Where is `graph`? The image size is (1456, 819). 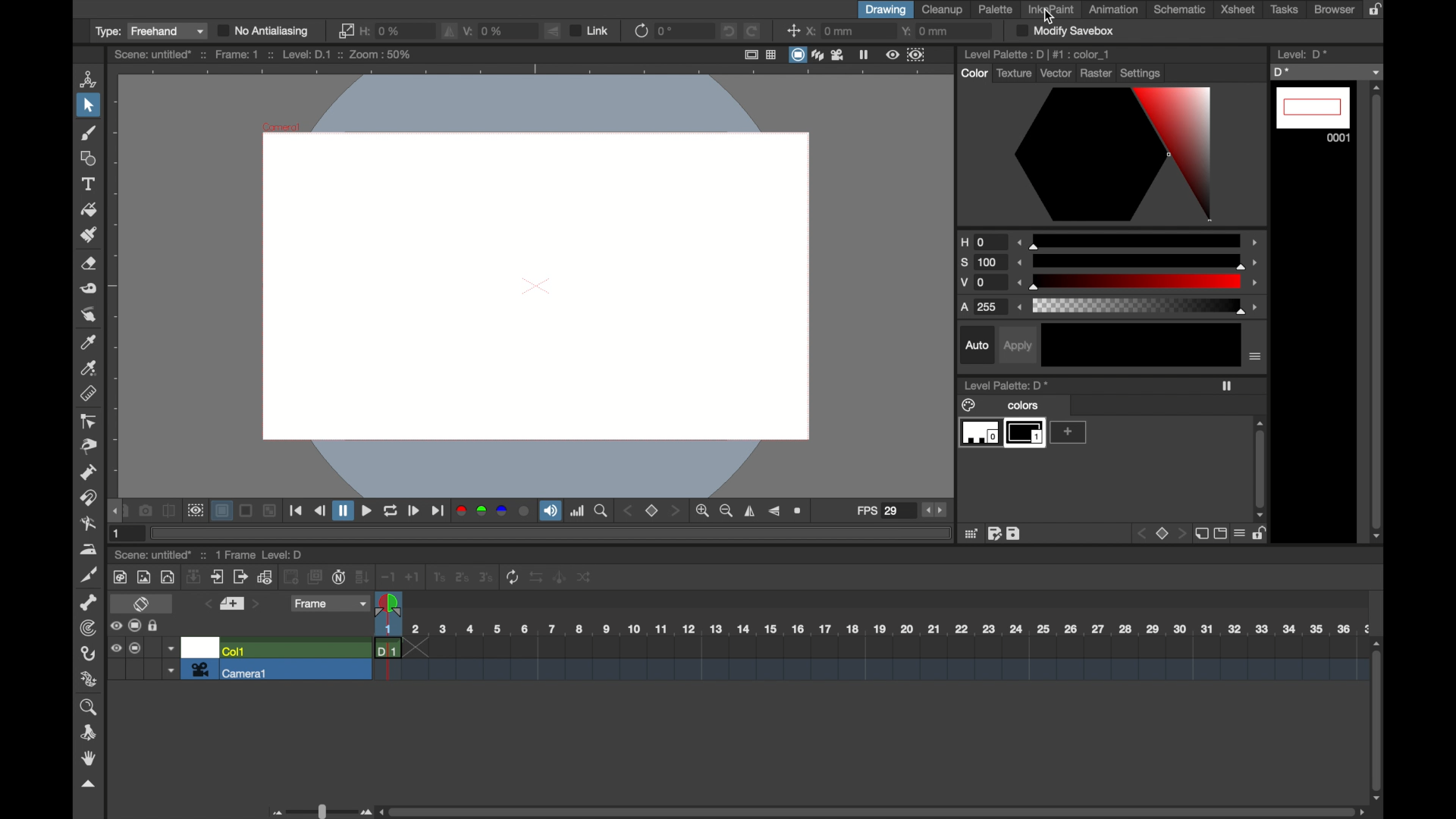 graph is located at coordinates (265, 576).